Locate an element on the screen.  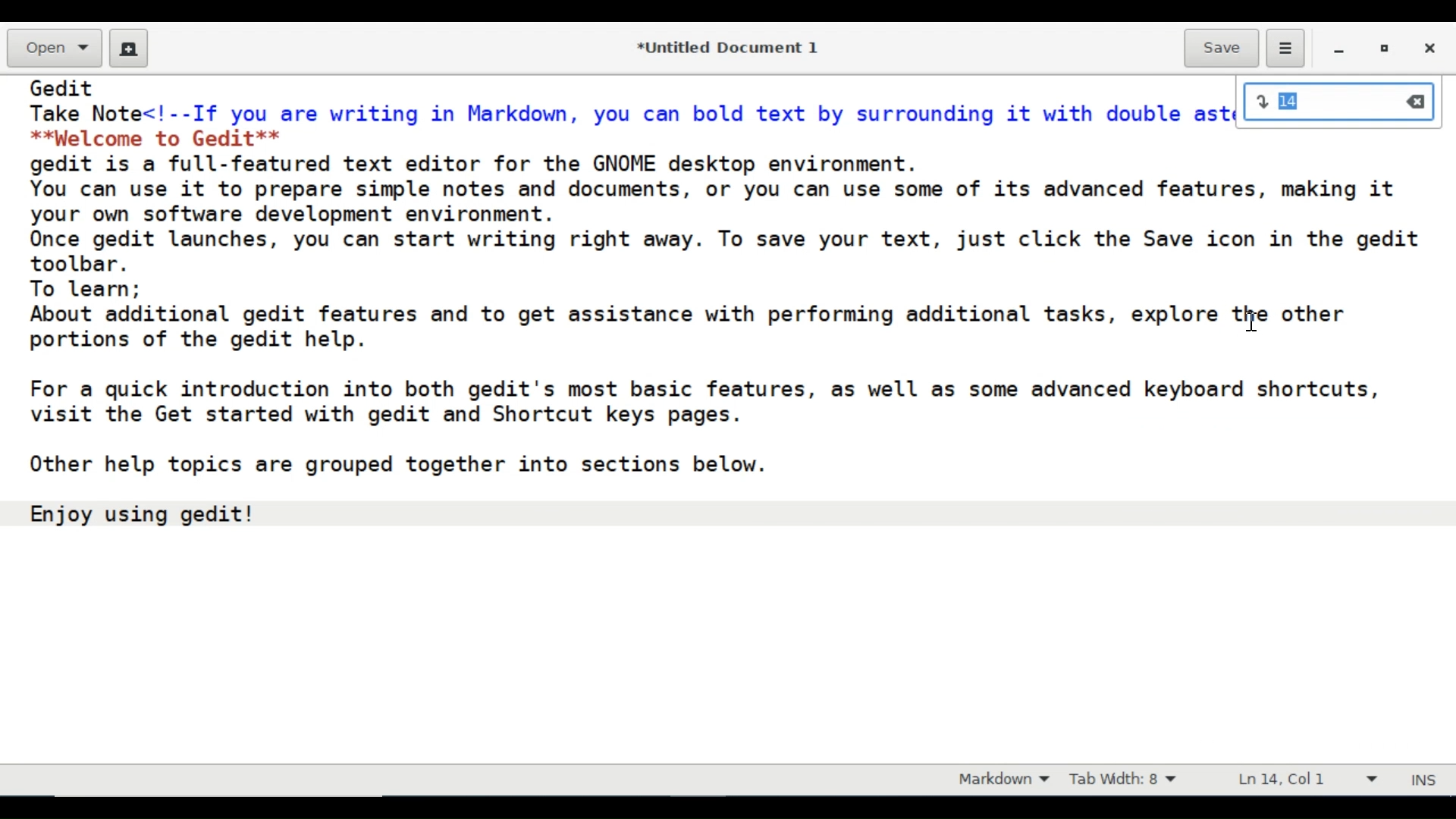
cursor is located at coordinates (1254, 321).